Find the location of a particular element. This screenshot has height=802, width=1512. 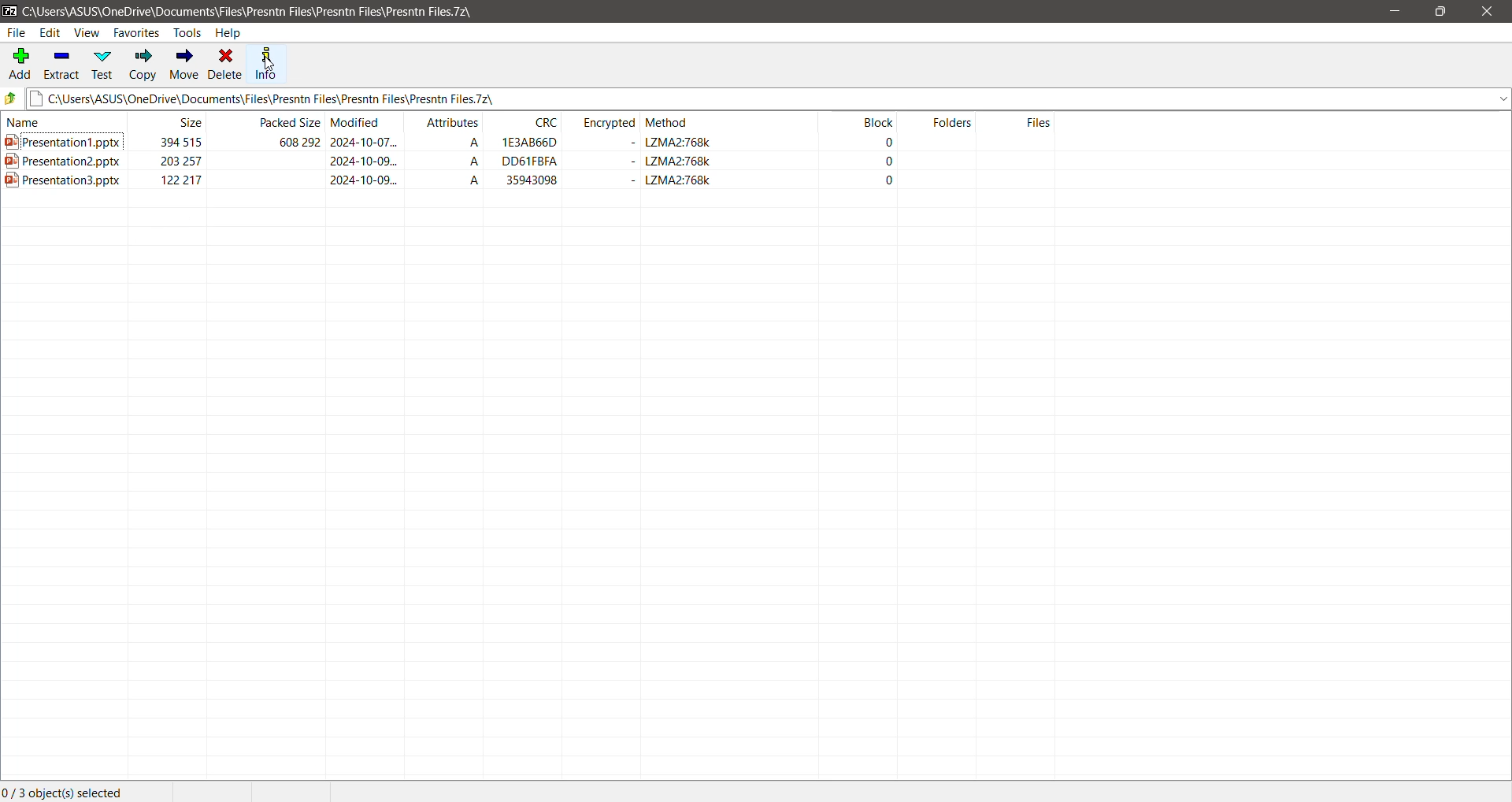

Files is located at coordinates (1033, 124).